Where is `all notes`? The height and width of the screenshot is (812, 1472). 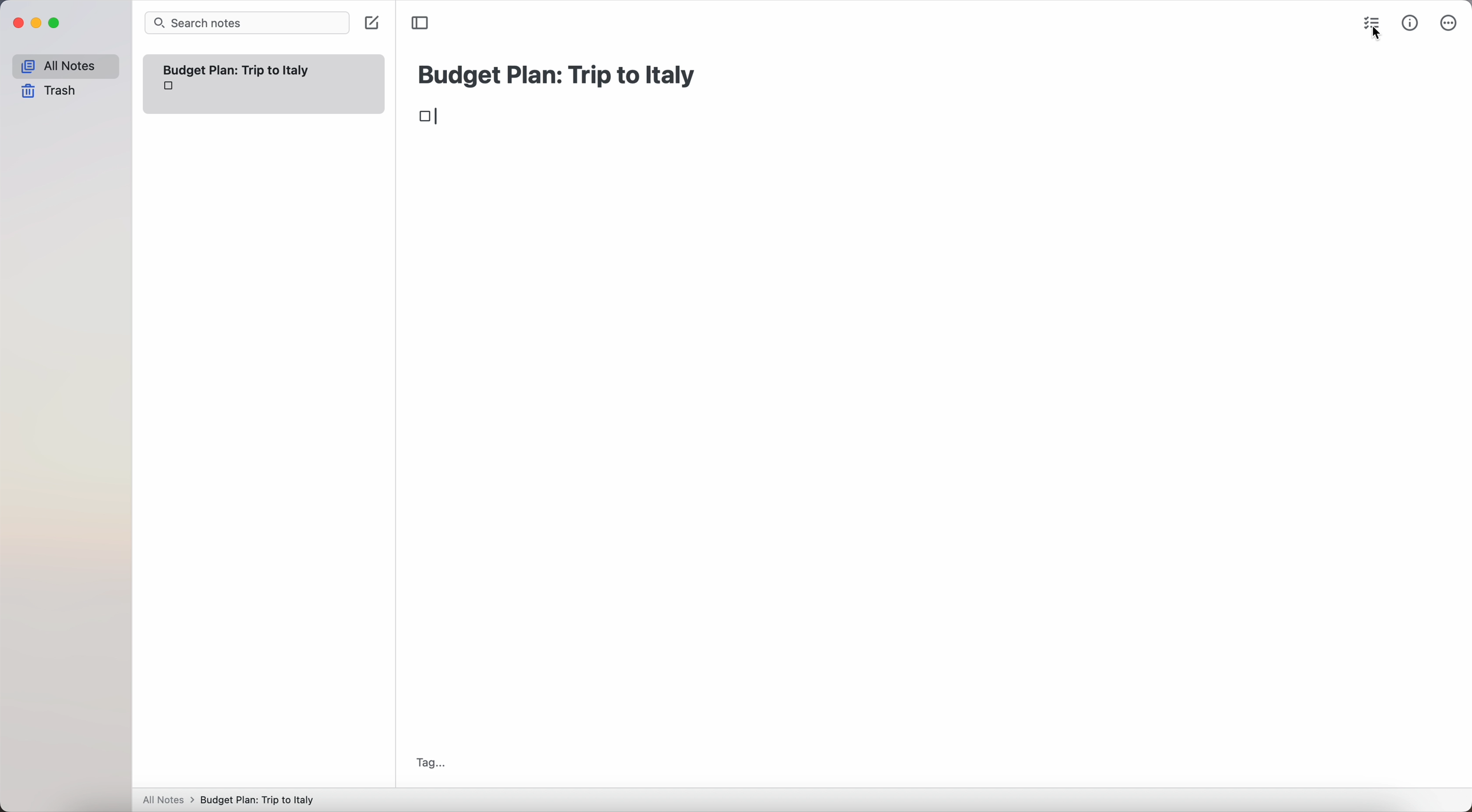 all notes is located at coordinates (65, 66).